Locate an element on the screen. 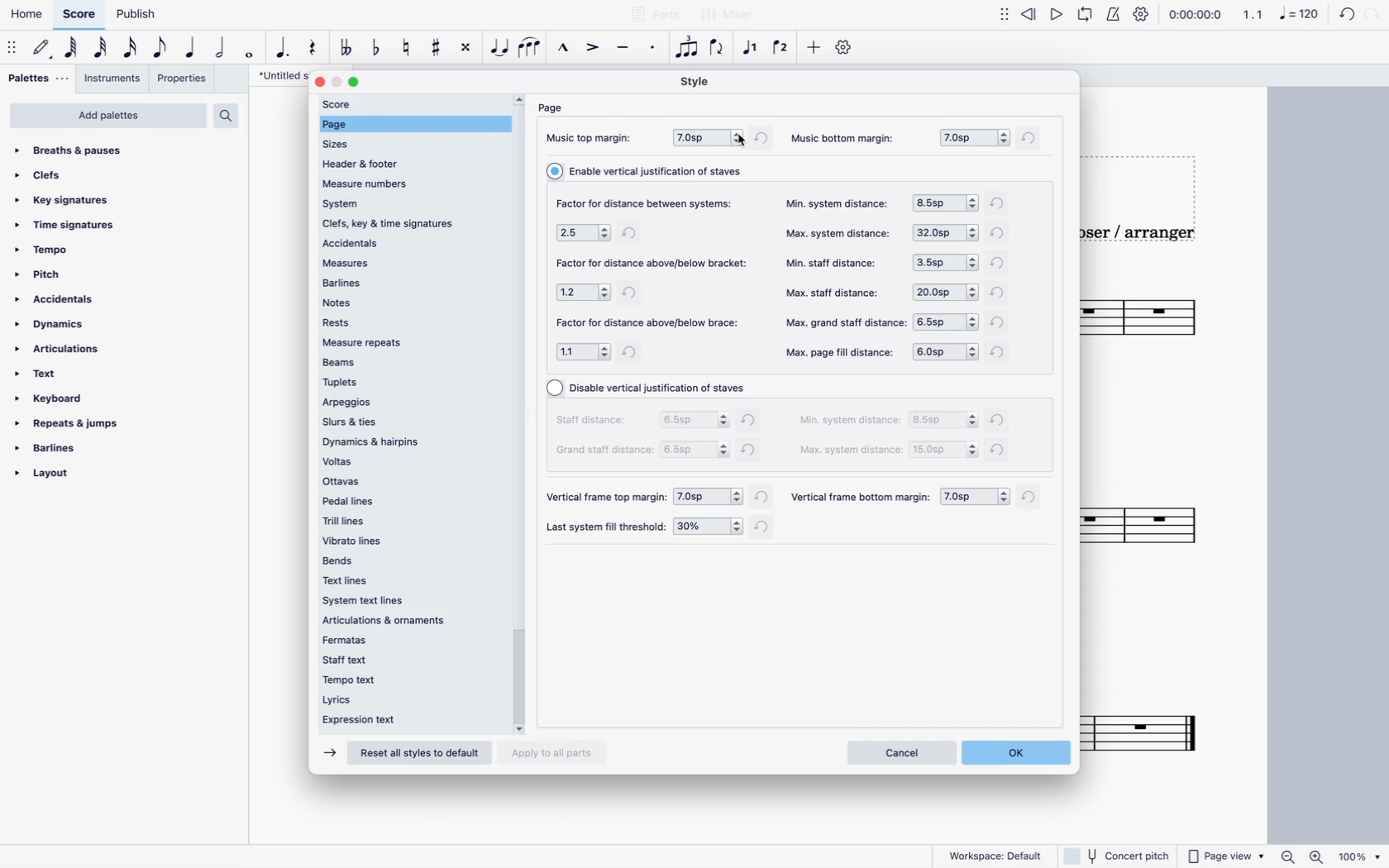  dynamics is located at coordinates (51, 325).